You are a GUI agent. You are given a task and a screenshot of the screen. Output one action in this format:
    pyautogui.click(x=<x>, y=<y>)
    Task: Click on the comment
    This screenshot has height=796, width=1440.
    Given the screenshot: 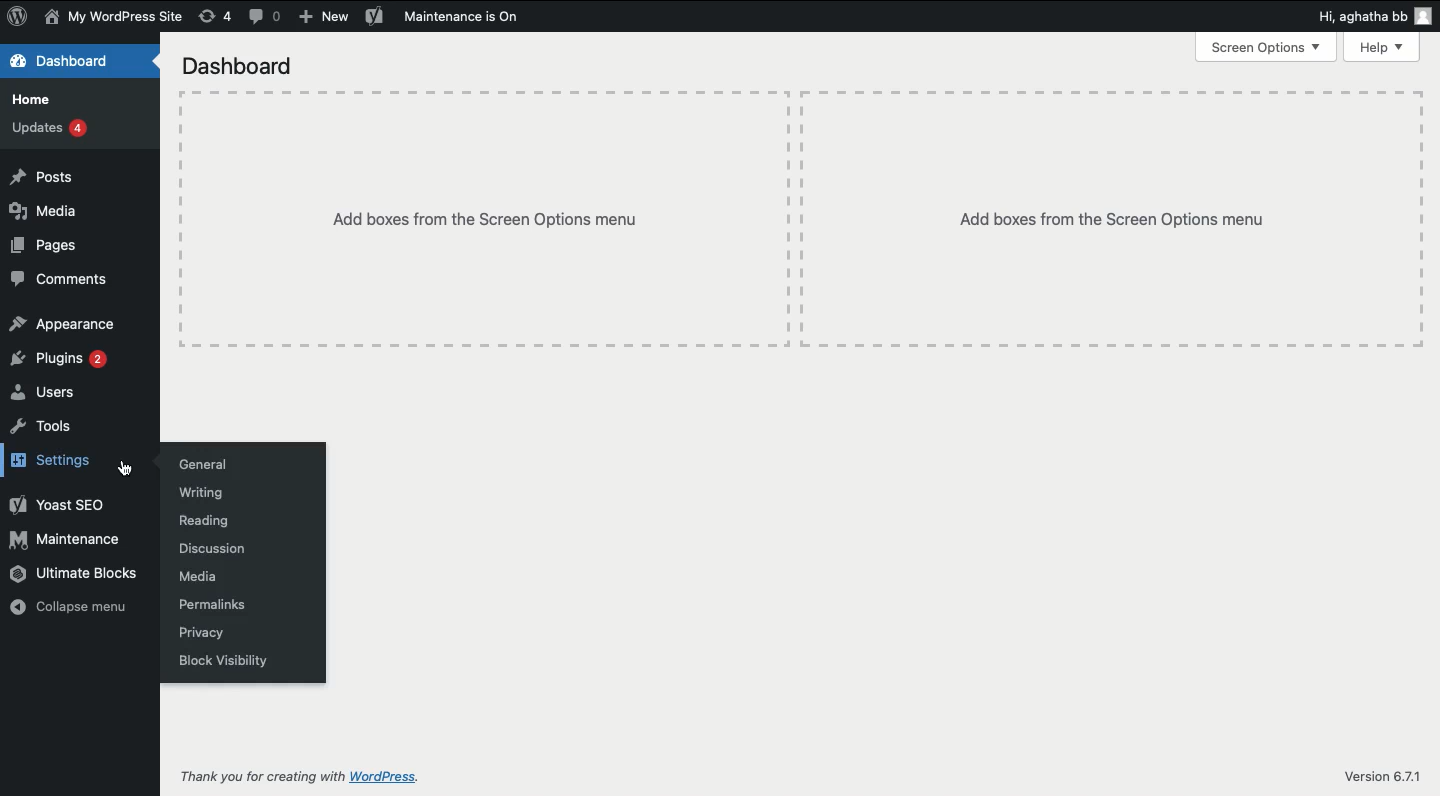 What is the action you would take?
    pyautogui.click(x=269, y=18)
    